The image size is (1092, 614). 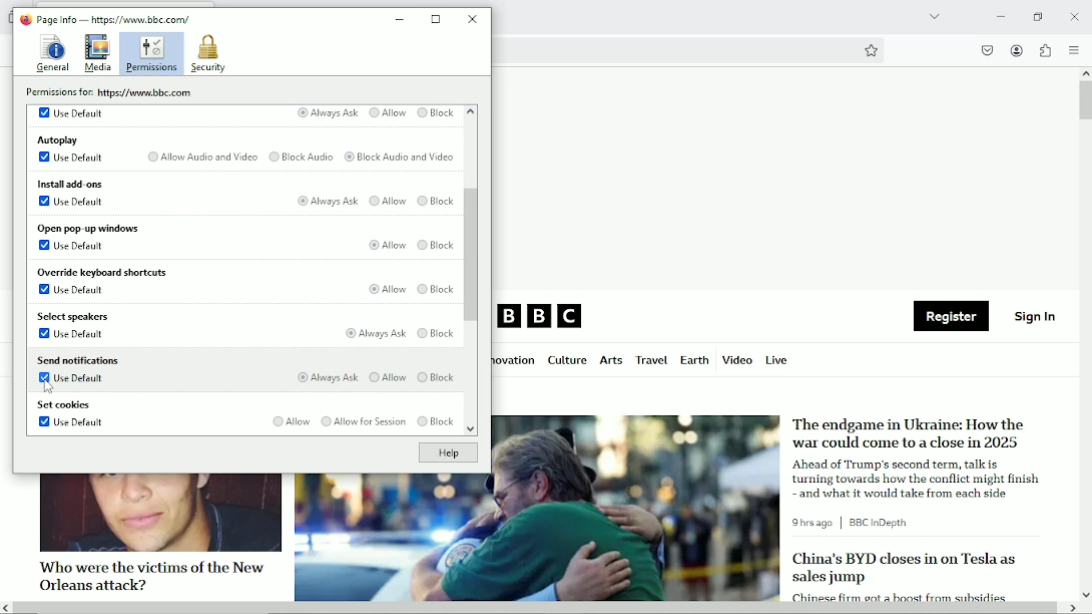 What do you see at coordinates (289, 421) in the screenshot?
I see `Allow` at bounding box center [289, 421].